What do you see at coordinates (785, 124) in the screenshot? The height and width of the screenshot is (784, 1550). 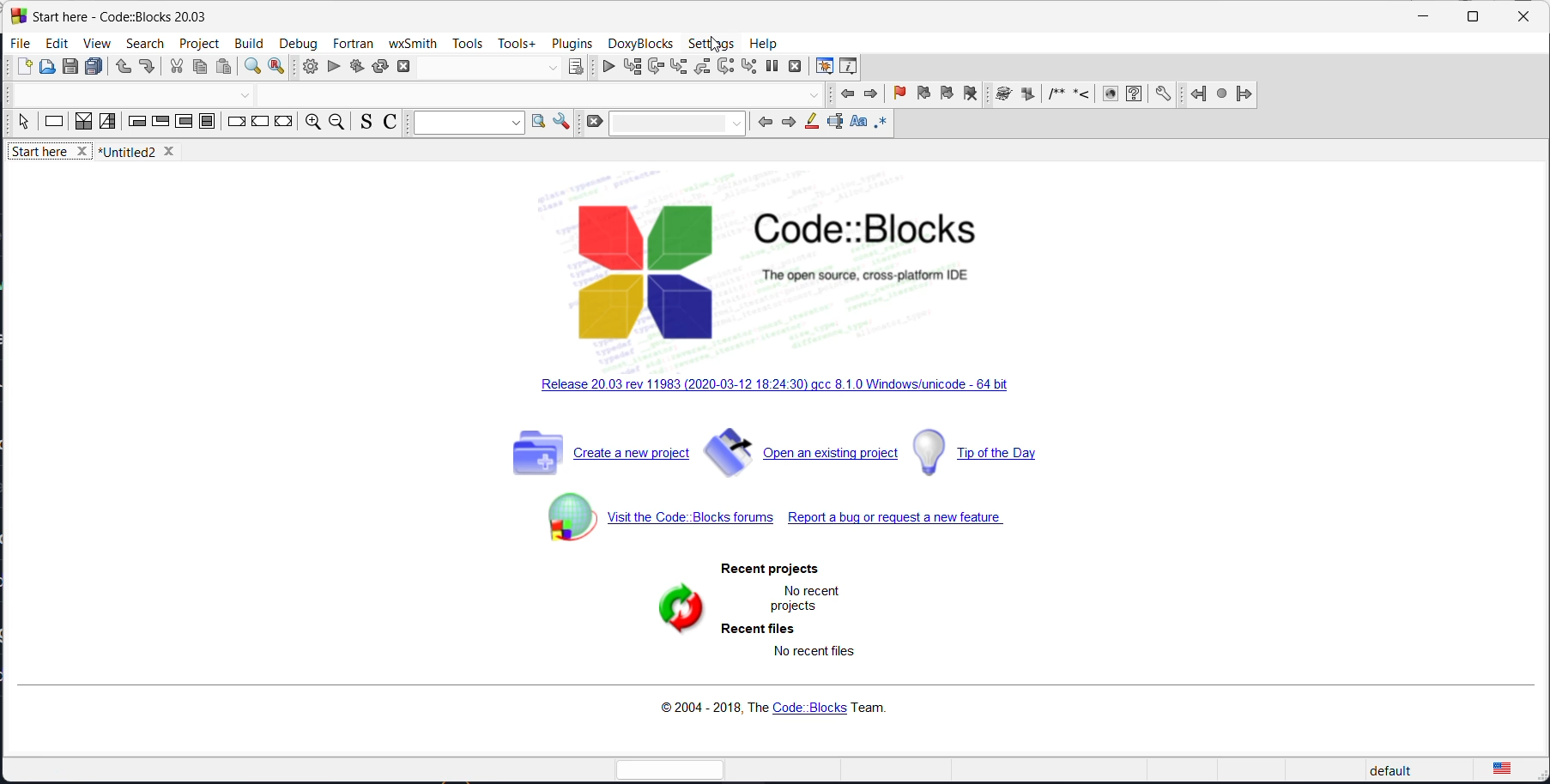 I see `next` at bounding box center [785, 124].